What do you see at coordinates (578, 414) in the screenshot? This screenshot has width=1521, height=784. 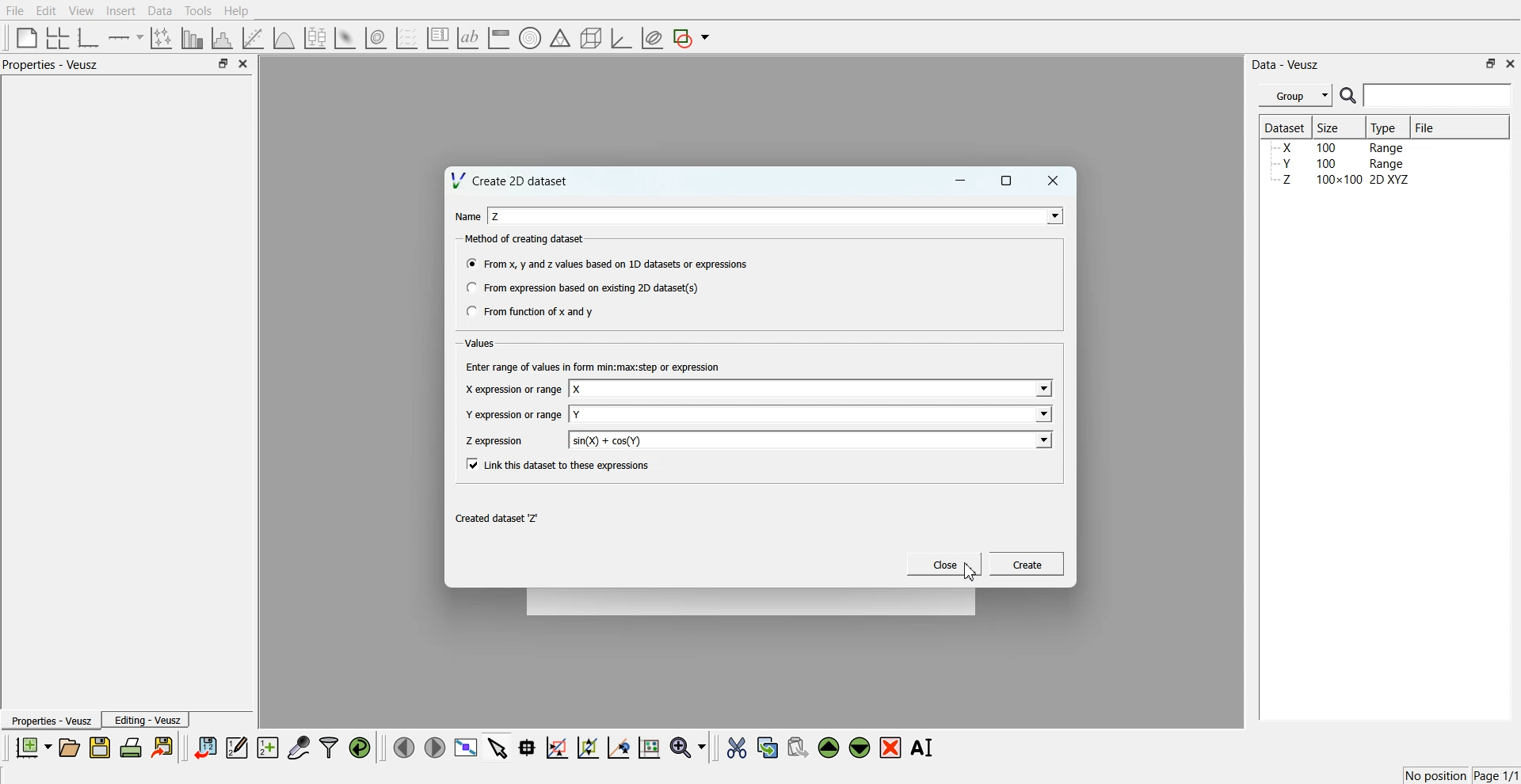 I see `Y` at bounding box center [578, 414].